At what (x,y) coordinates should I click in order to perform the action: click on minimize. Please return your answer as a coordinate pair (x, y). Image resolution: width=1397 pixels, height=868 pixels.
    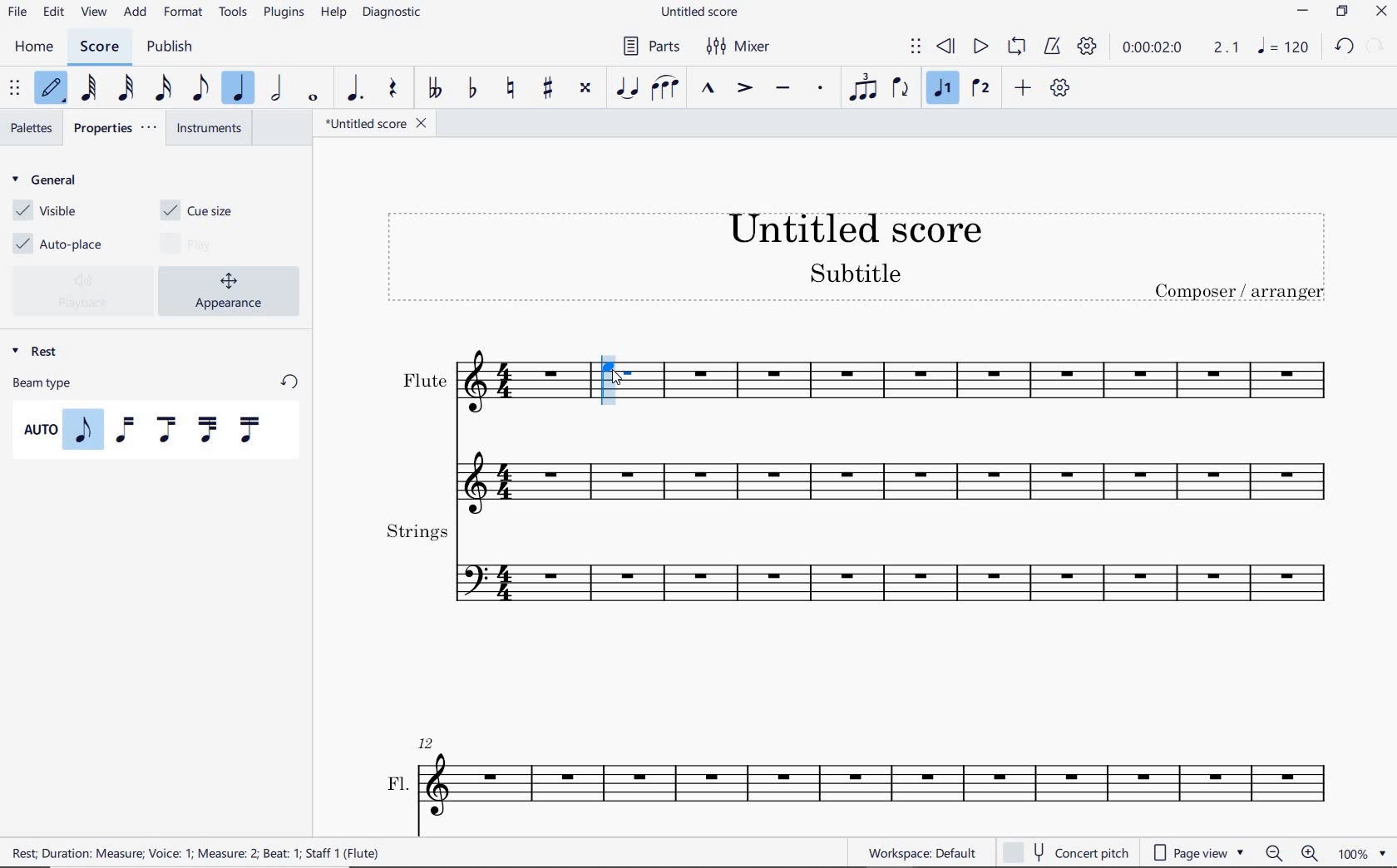
    Looking at the image, I should click on (1303, 13).